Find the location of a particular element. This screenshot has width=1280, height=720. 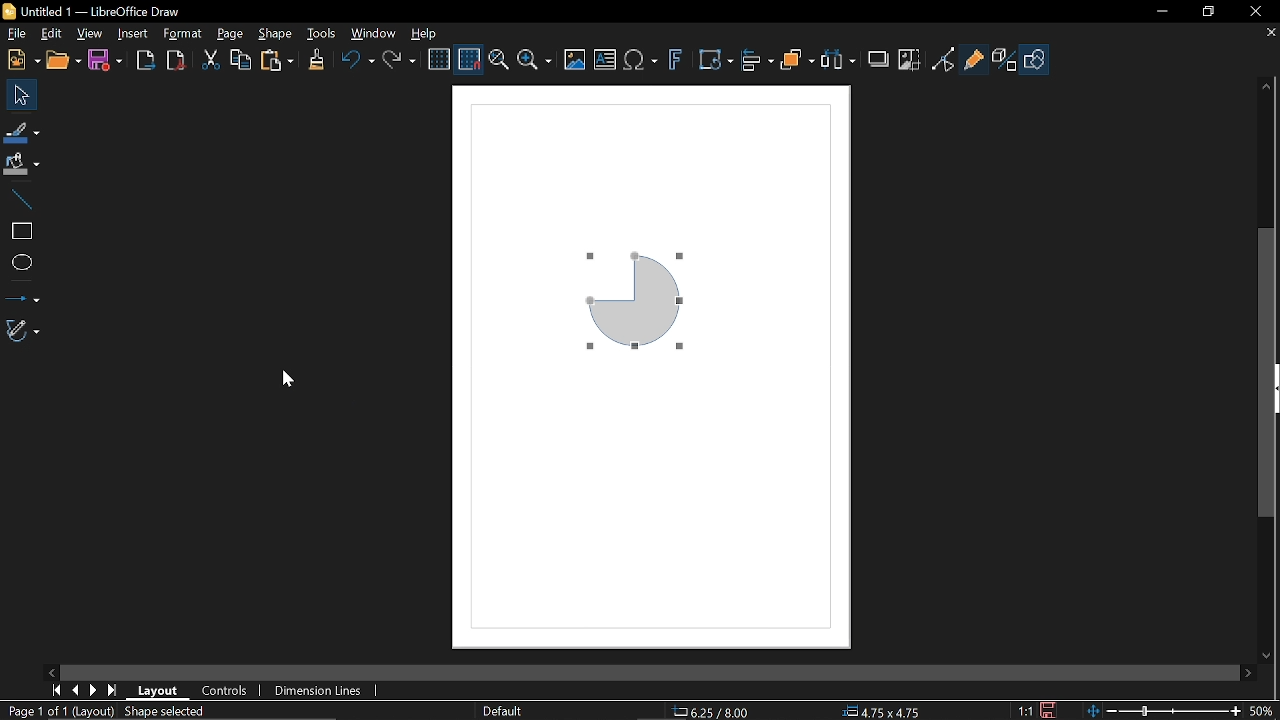

Previous page is located at coordinates (75, 689).